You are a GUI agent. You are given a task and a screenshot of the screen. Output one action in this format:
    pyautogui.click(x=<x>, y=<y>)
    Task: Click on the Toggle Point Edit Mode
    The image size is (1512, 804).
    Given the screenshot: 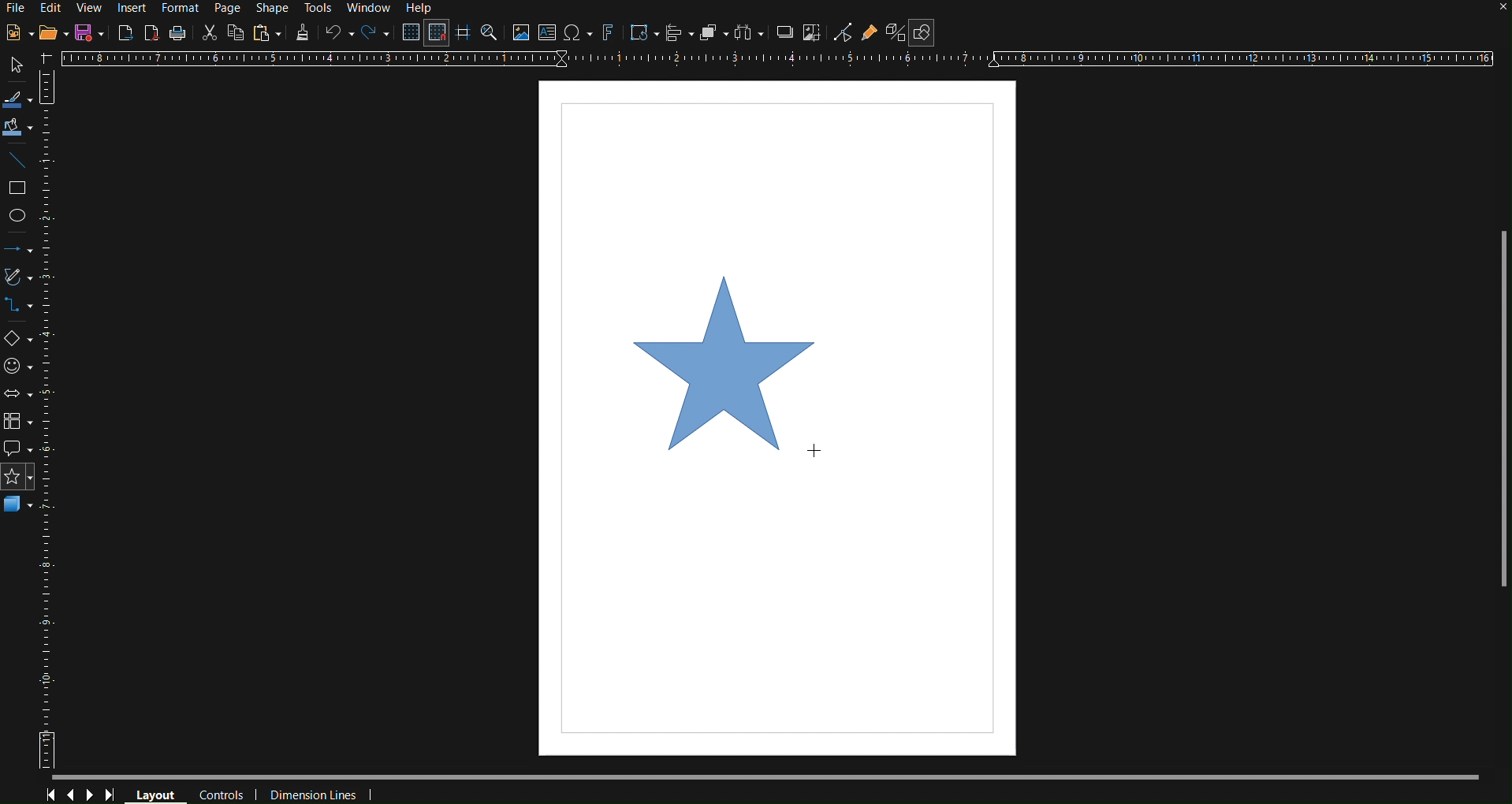 What is the action you would take?
    pyautogui.click(x=844, y=33)
    